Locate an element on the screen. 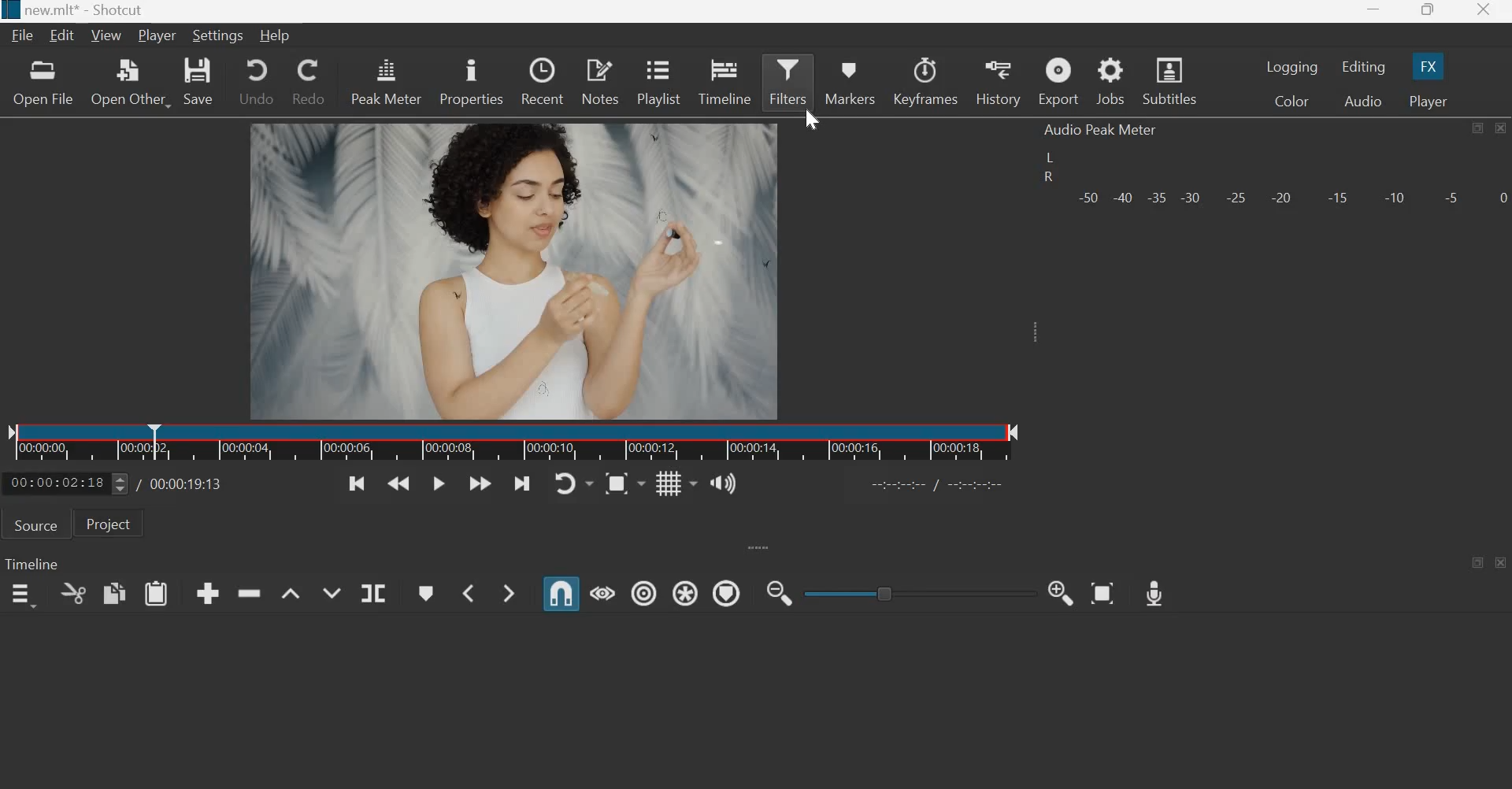  Record Audio is located at coordinates (1155, 594).